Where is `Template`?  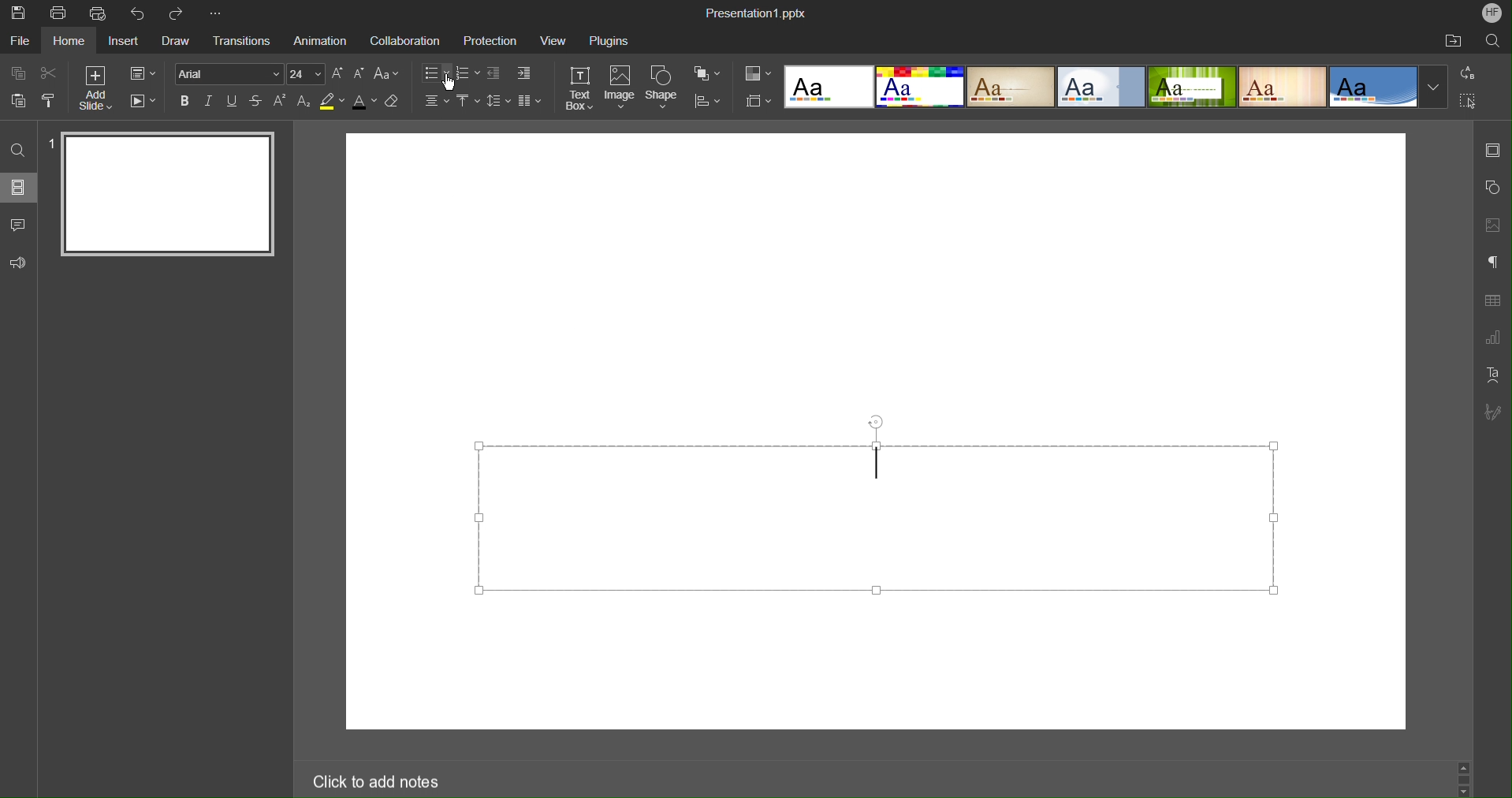
Template is located at coordinates (826, 88).